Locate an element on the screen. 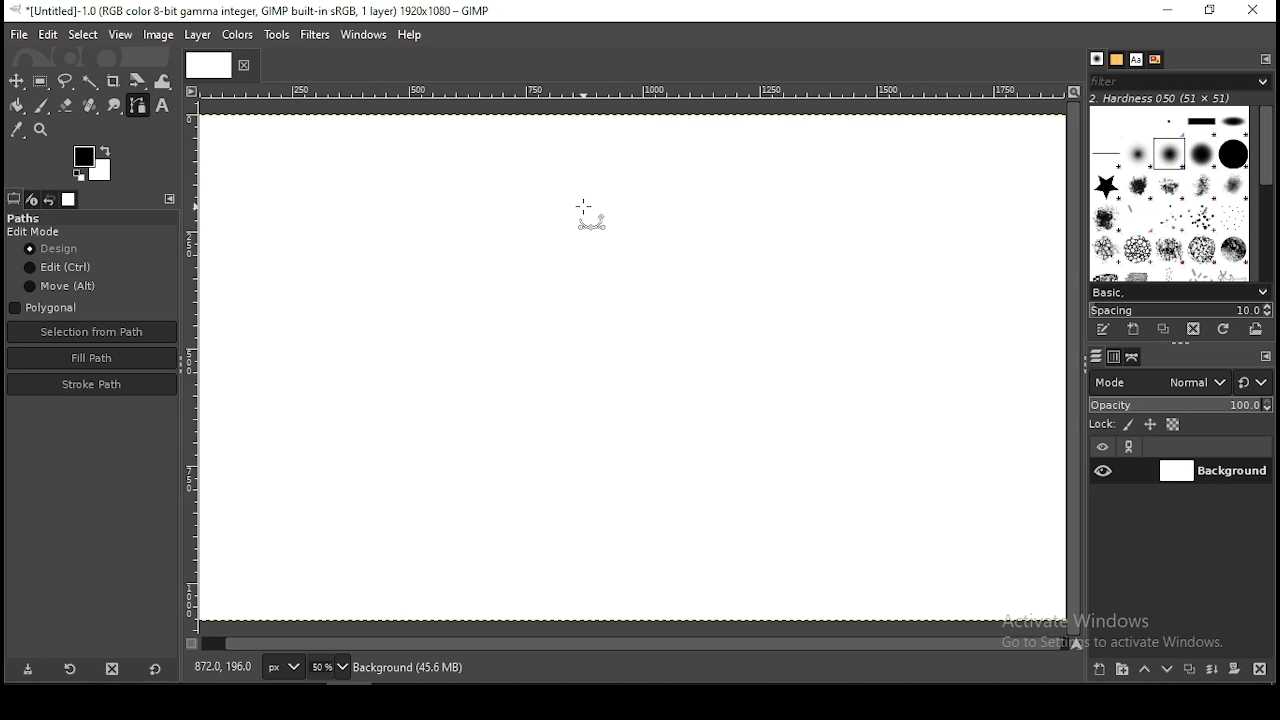 Image resolution: width=1280 pixels, height=720 pixels. 872.0, 196.0 is located at coordinates (225, 669).